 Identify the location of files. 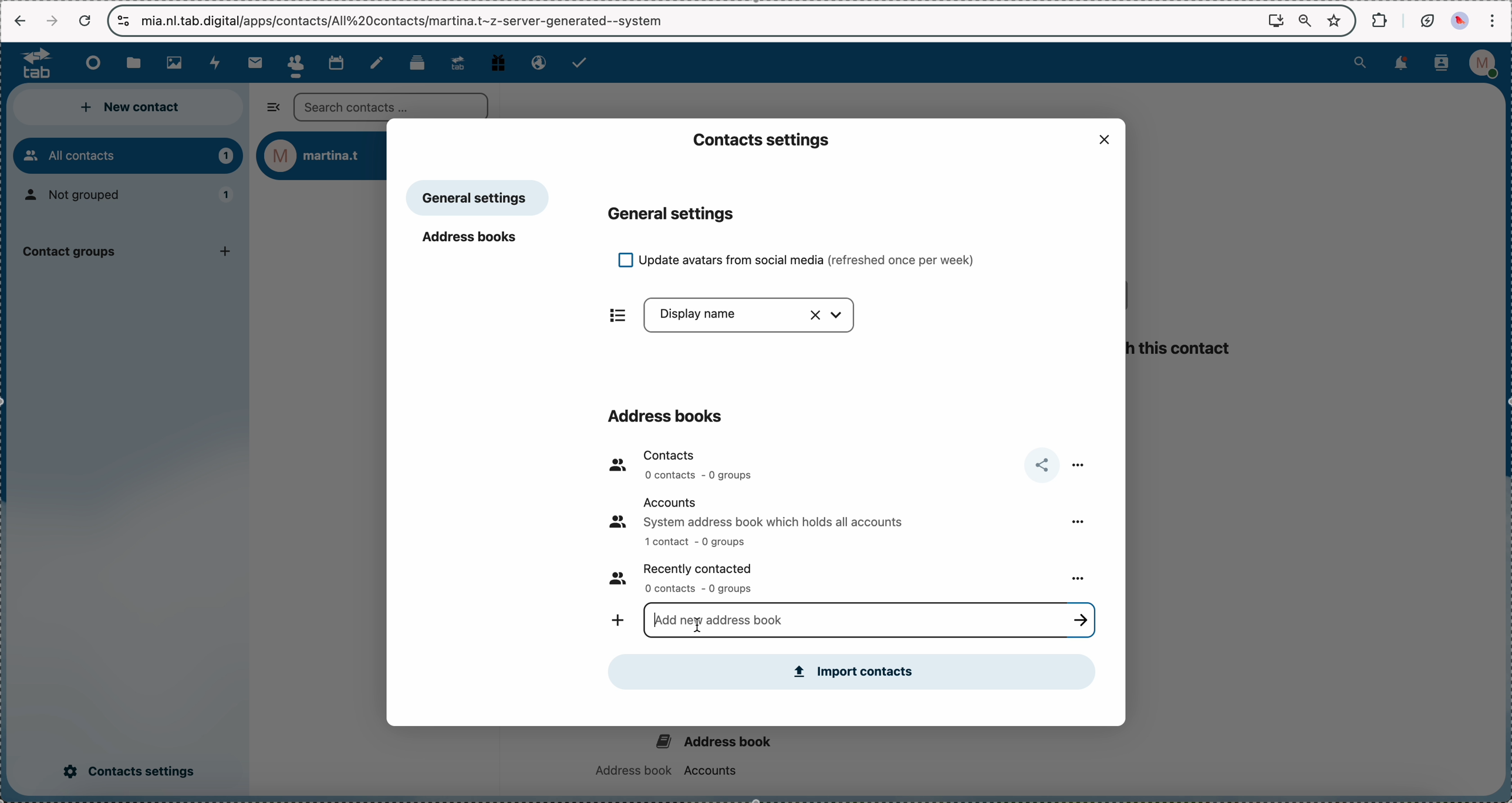
(136, 64).